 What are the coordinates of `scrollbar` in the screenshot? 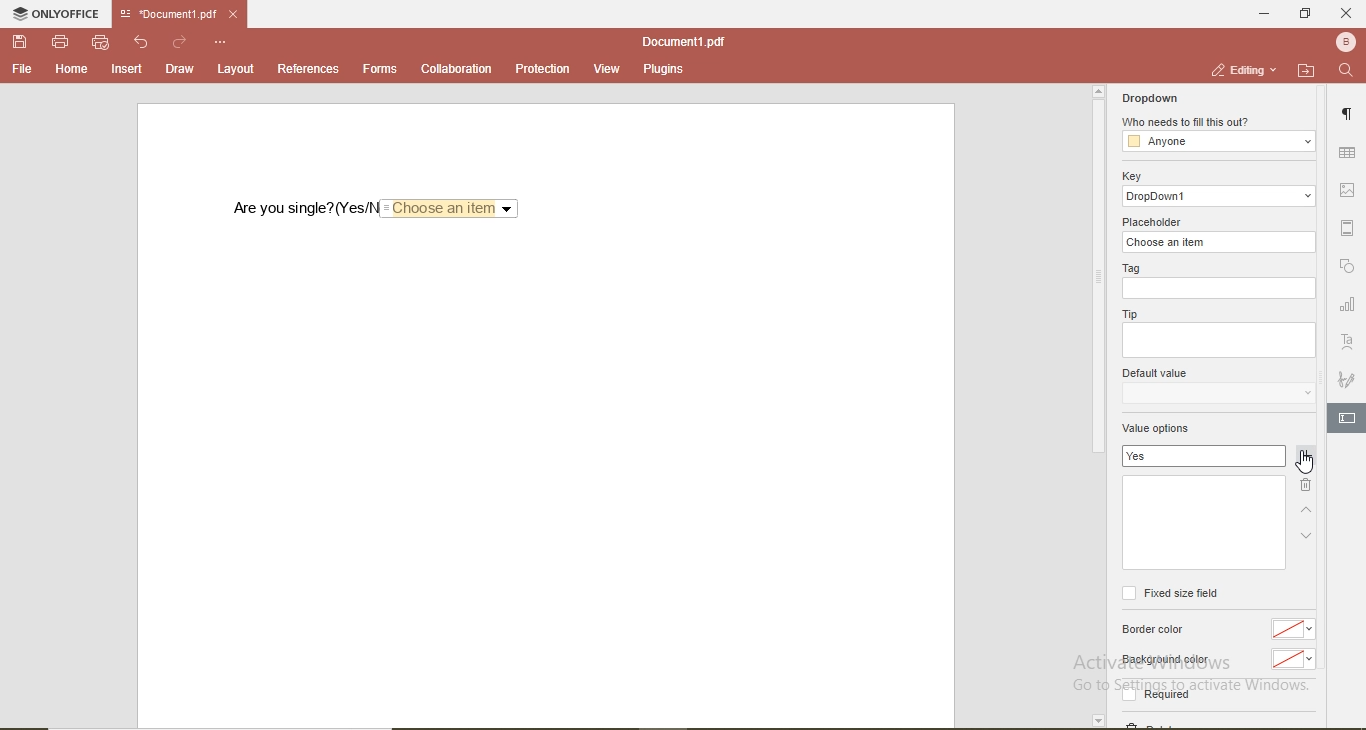 It's located at (1097, 269).